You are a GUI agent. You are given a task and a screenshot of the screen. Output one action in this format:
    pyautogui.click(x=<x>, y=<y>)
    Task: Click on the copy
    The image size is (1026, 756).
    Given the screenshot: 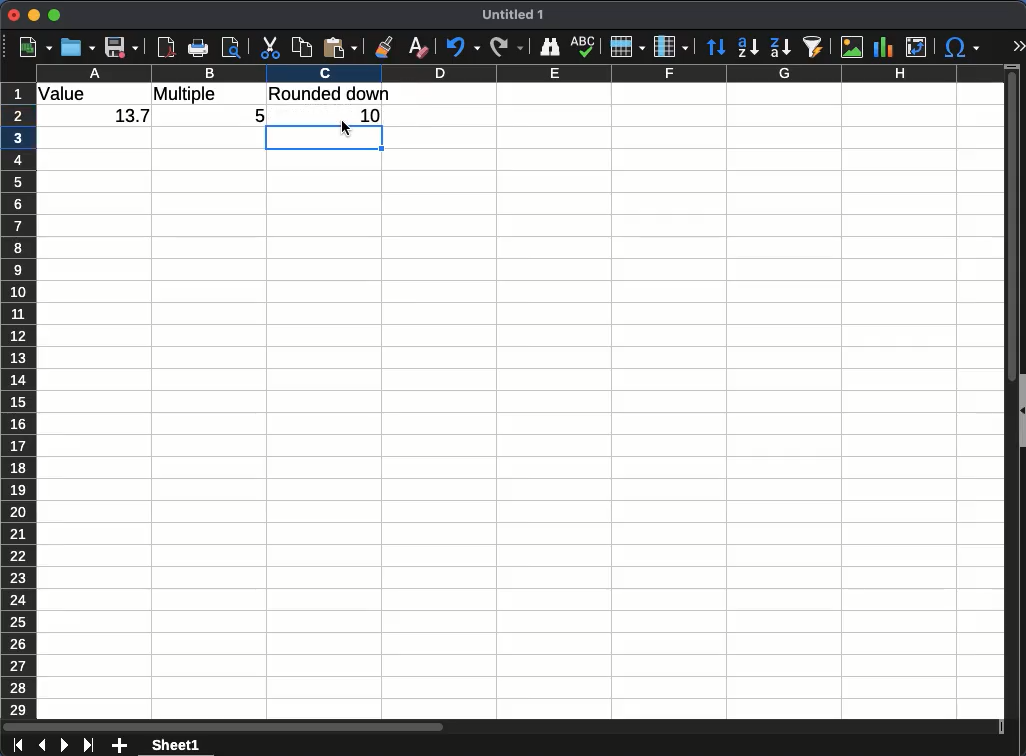 What is the action you would take?
    pyautogui.click(x=302, y=48)
    